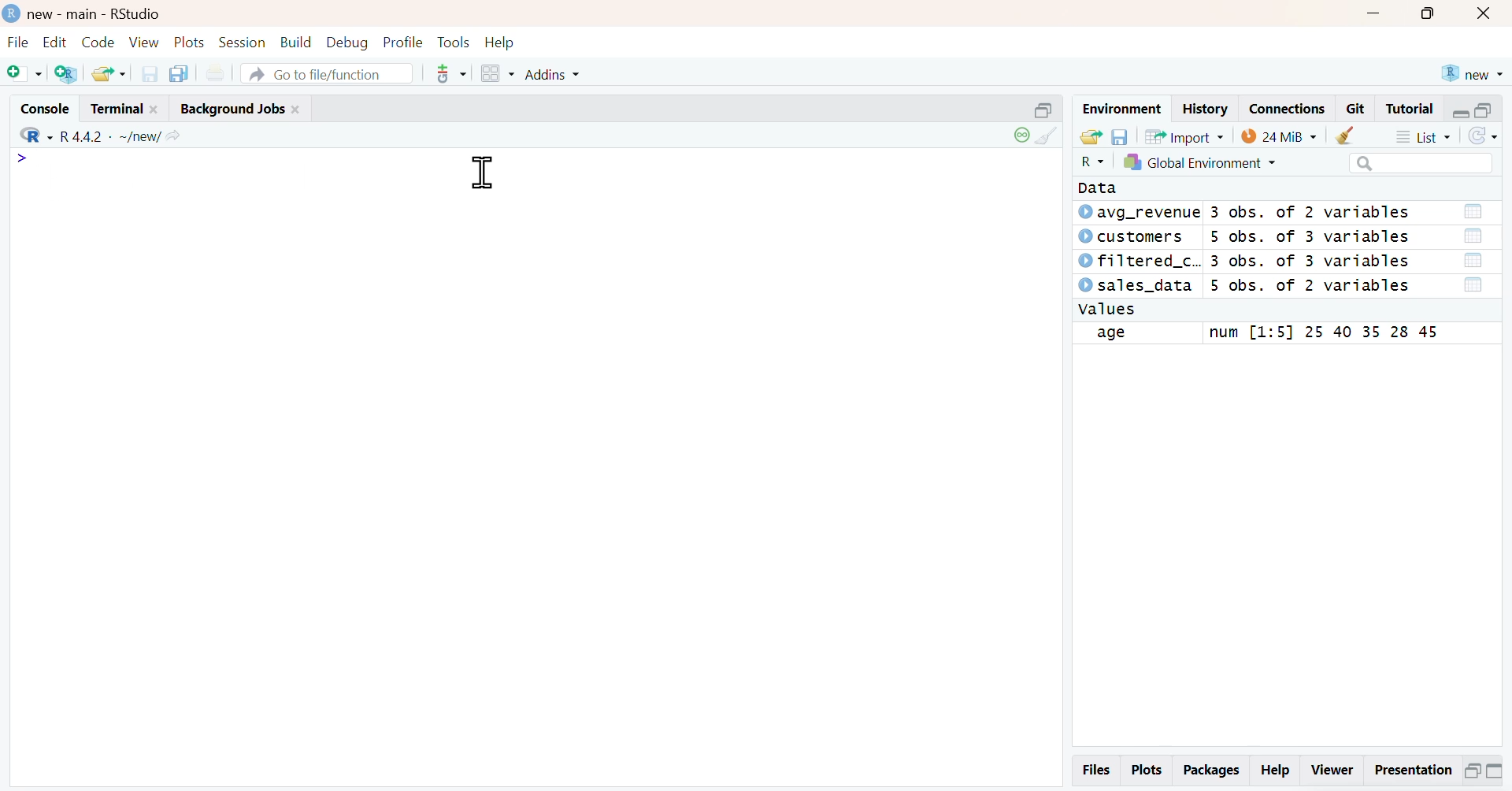 Image resolution: width=1512 pixels, height=791 pixels. I want to click on search, so click(1421, 164).